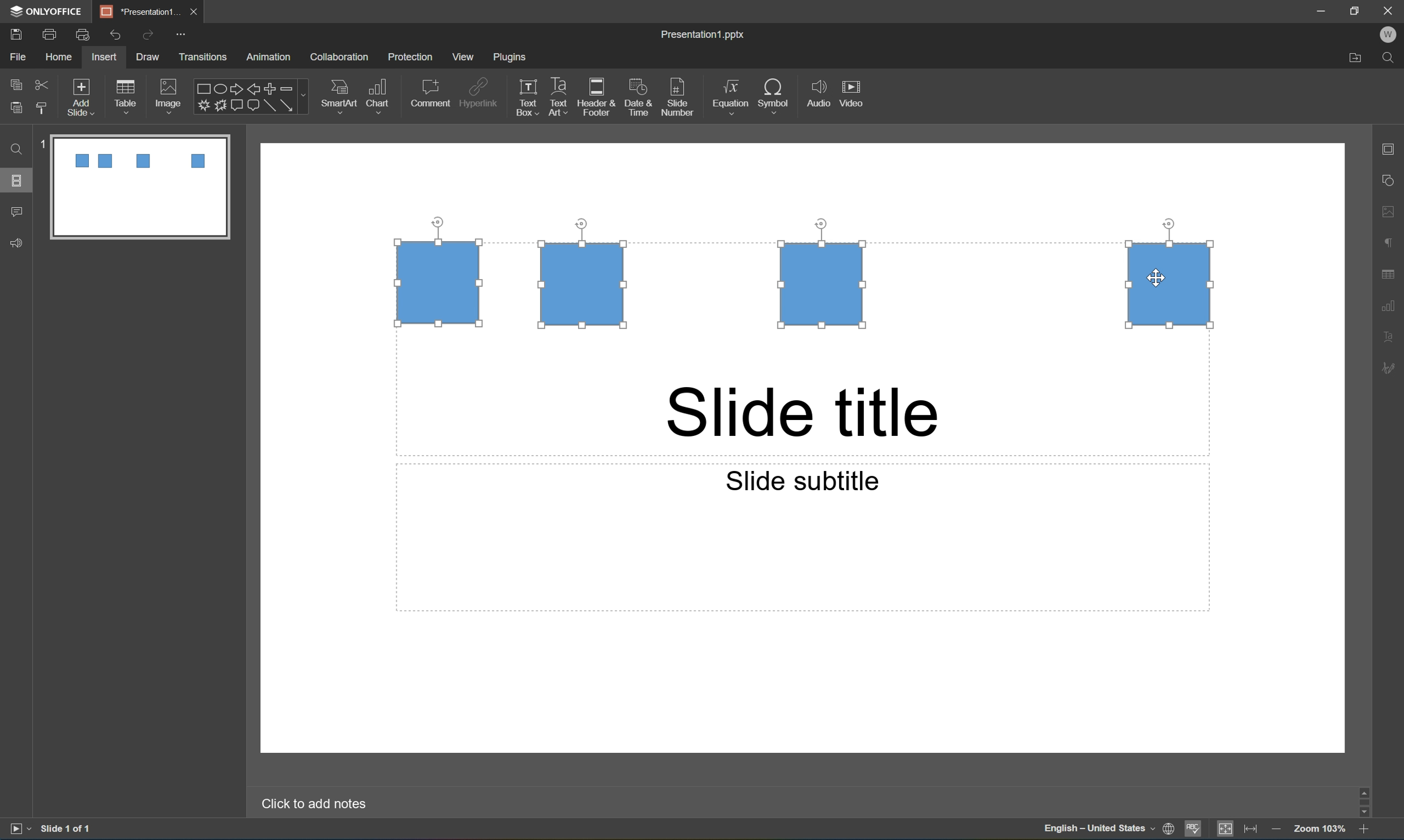  I want to click on feedback & support, so click(15, 243).